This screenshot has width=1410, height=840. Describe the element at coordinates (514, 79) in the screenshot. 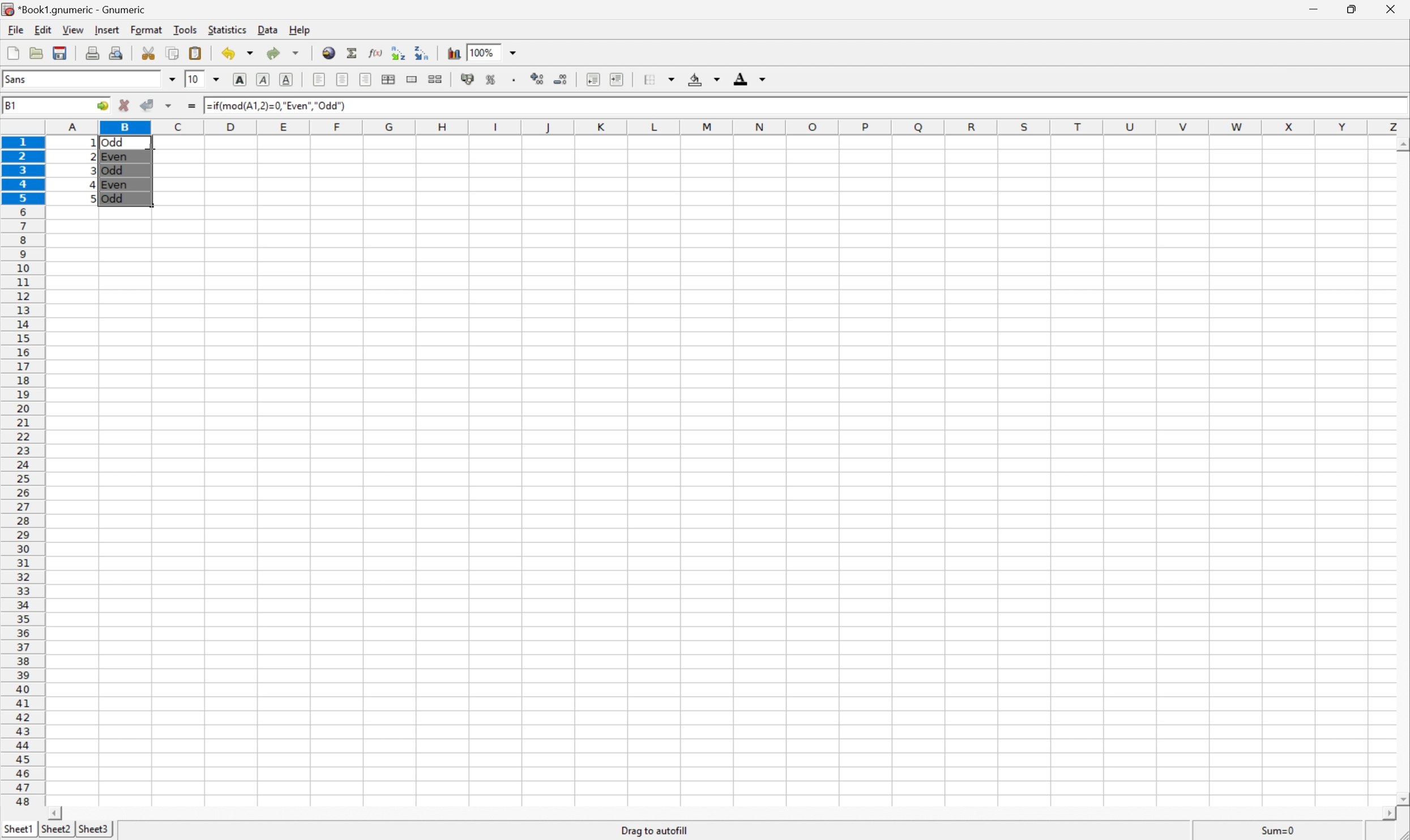

I see `Set the format of the selected cells to include a thousands separator` at that location.